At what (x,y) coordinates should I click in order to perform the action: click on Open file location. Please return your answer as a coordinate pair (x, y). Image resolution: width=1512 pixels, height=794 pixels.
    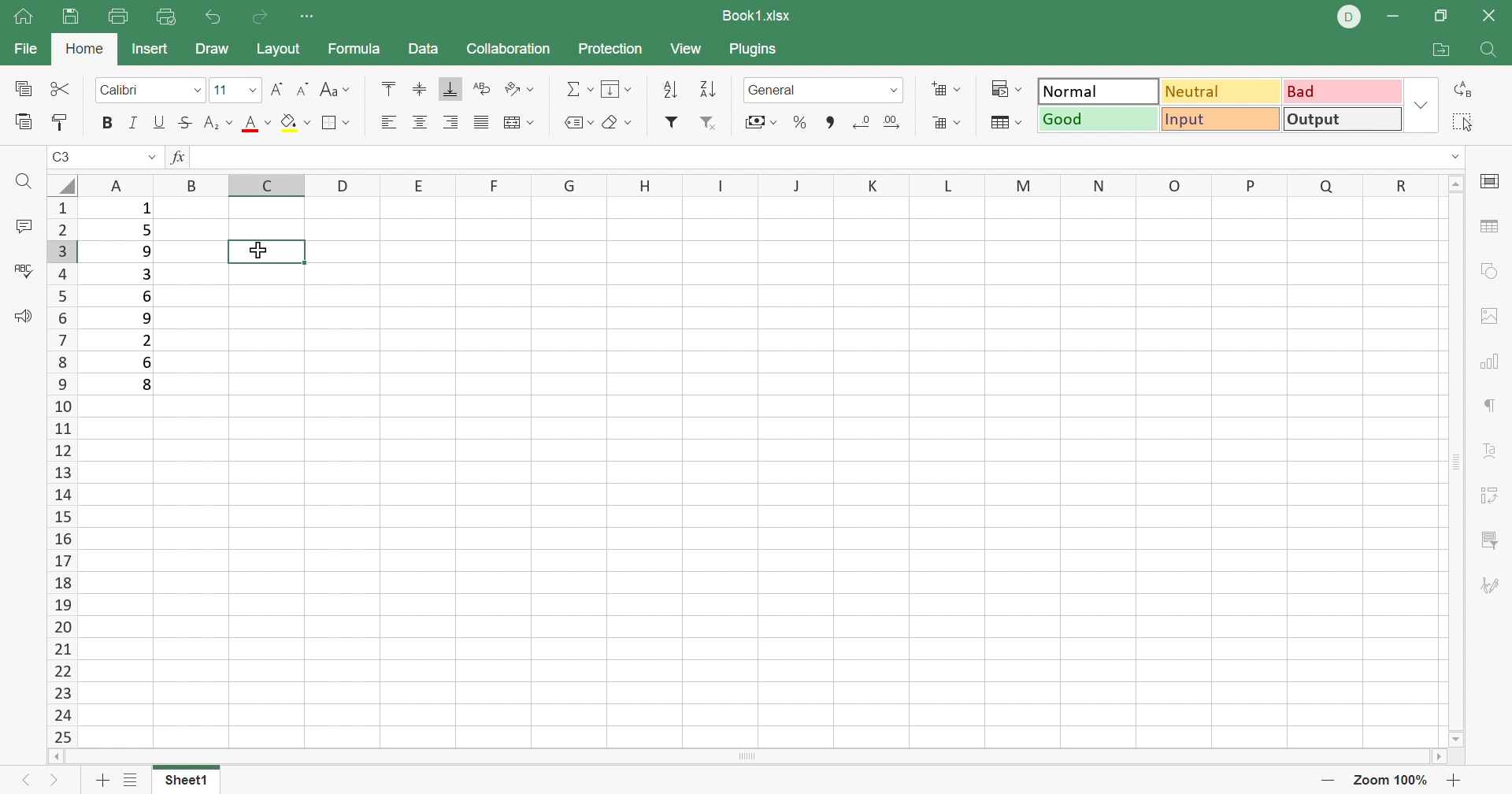
    Looking at the image, I should click on (1445, 48).